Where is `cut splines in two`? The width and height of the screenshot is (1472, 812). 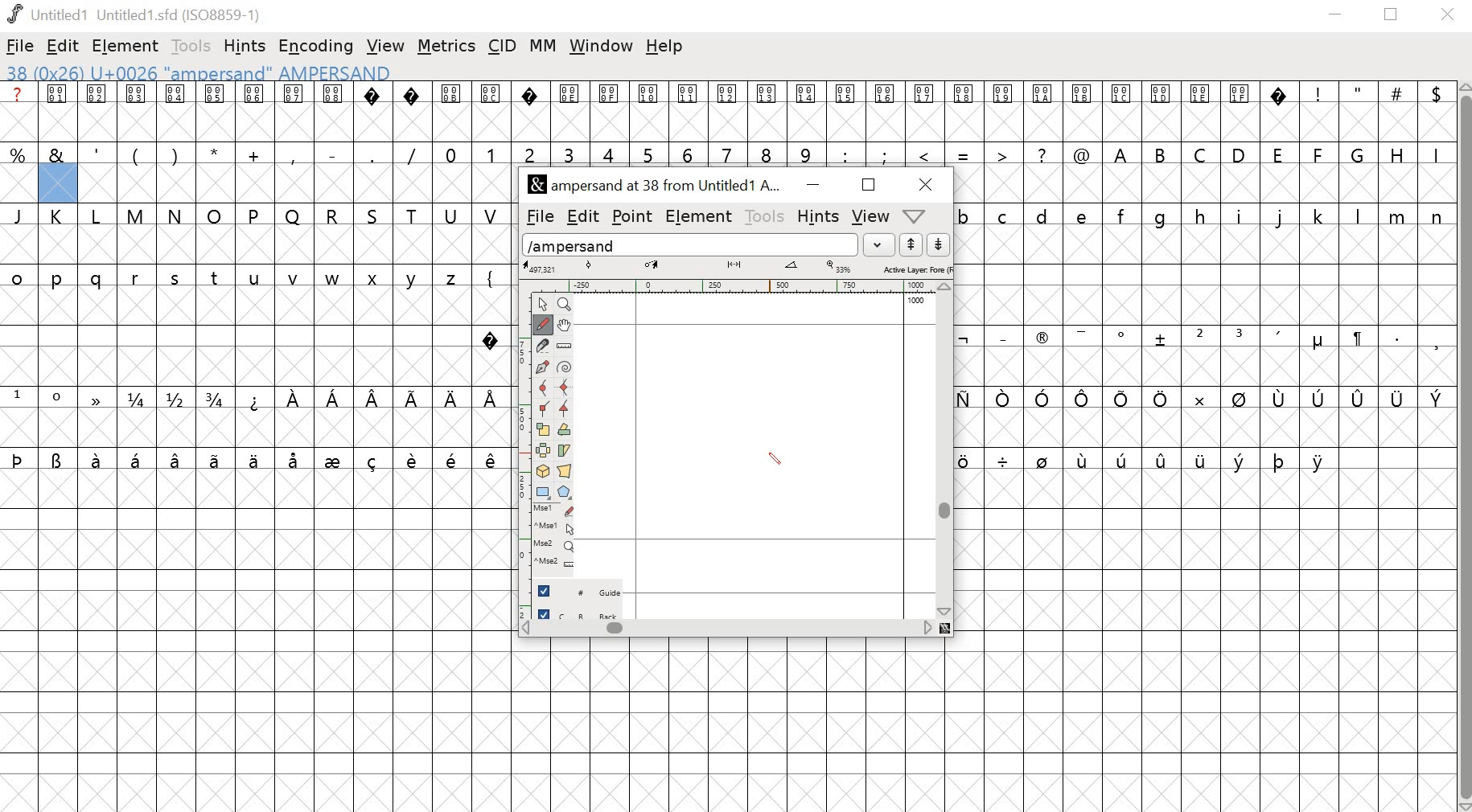
cut splines in two is located at coordinates (542, 347).